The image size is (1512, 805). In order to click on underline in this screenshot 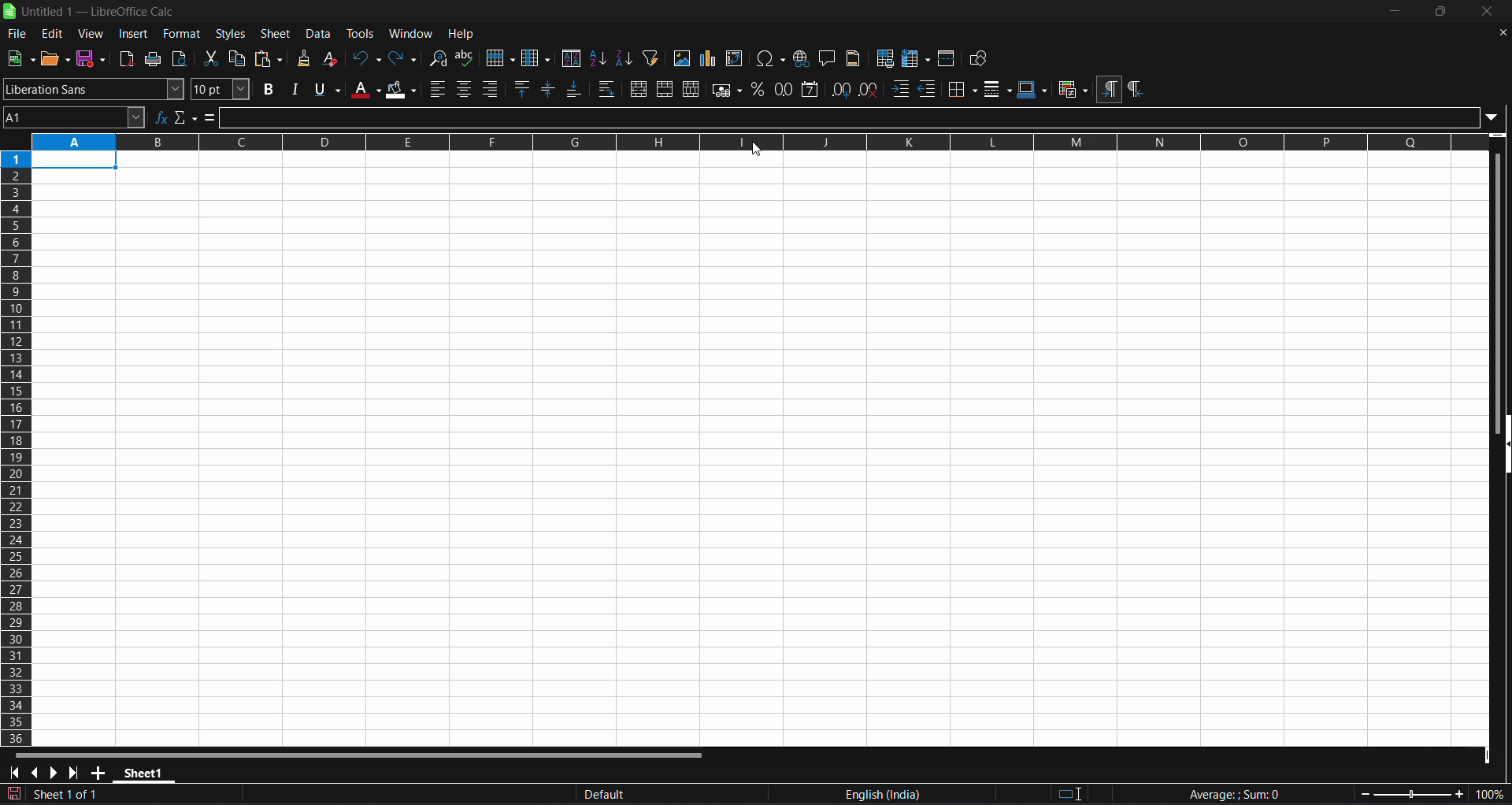, I will do `click(328, 88)`.